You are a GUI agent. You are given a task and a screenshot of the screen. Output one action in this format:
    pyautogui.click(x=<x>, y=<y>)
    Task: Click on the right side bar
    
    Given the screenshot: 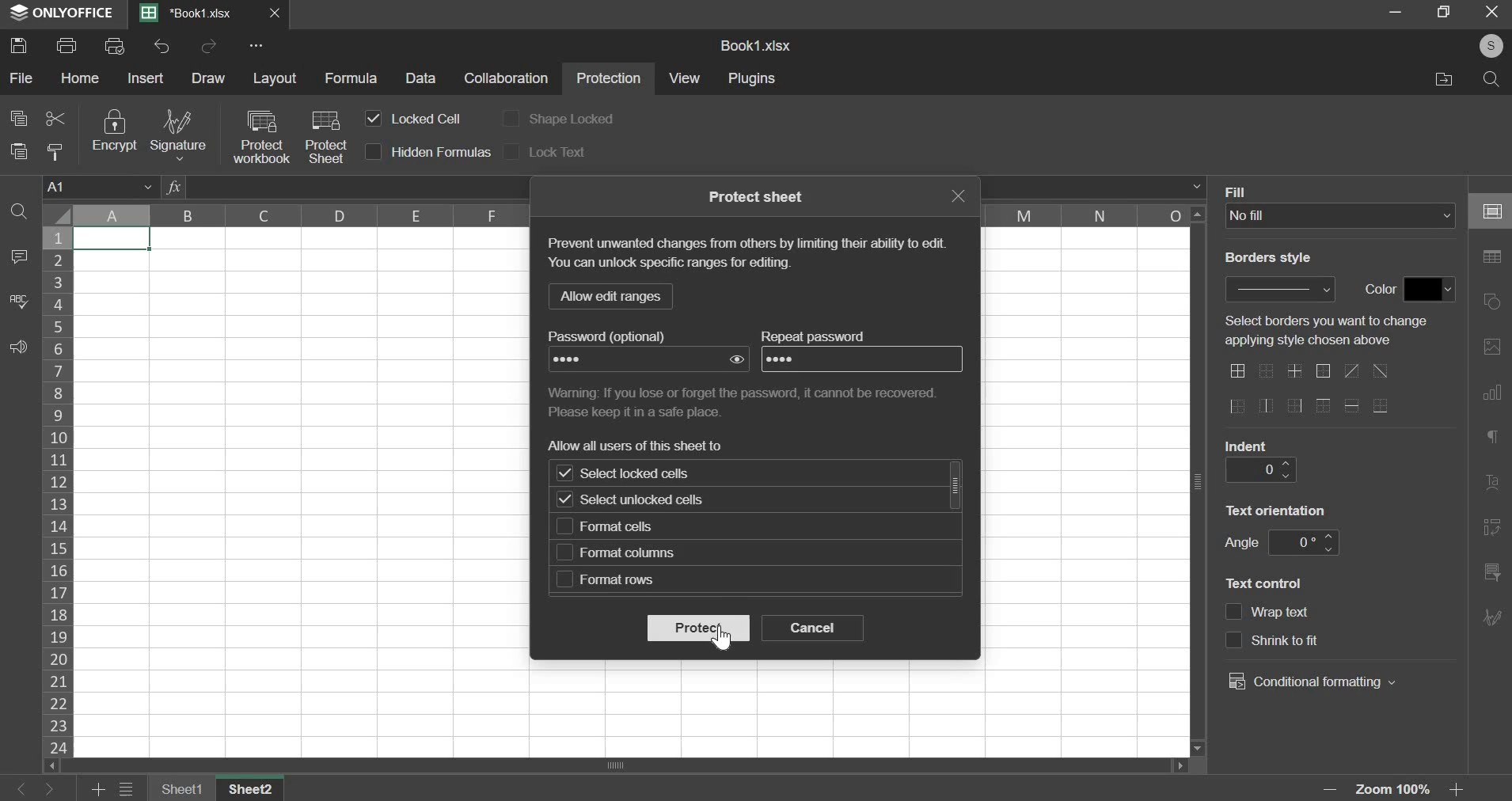 What is the action you would take?
    pyautogui.click(x=1495, y=436)
    